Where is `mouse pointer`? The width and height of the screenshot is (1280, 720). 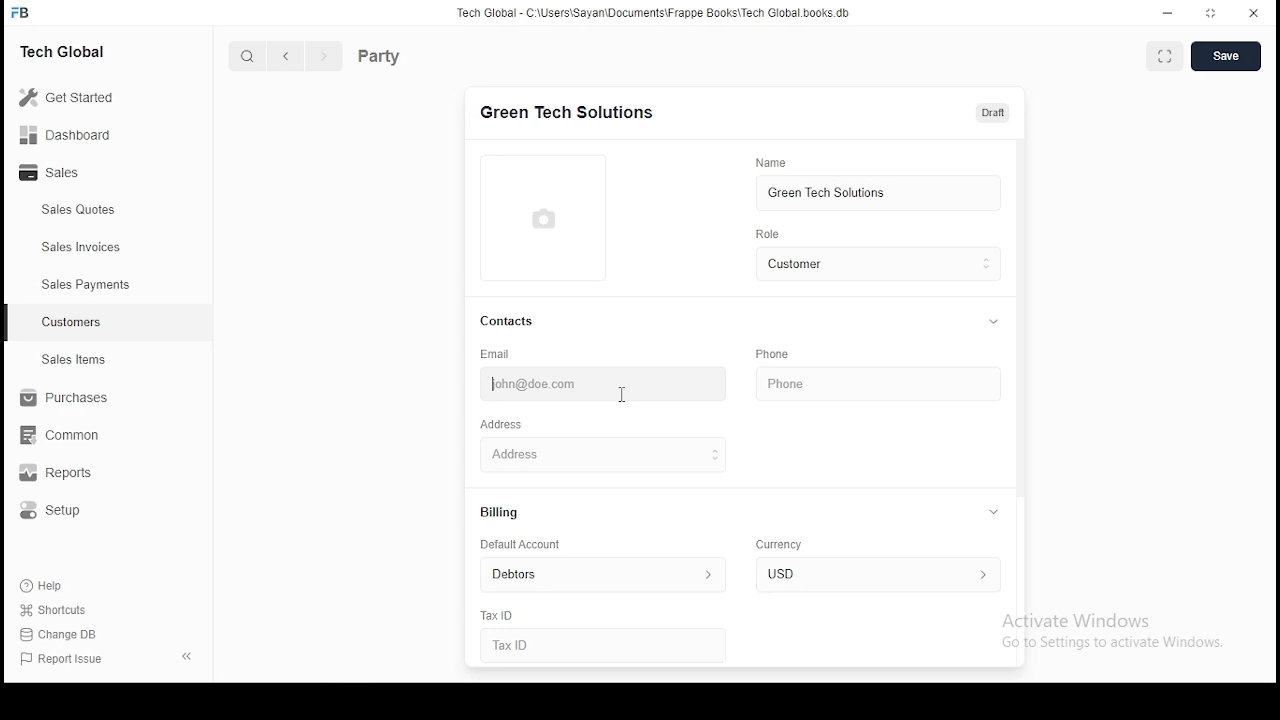 mouse pointer is located at coordinates (625, 395).